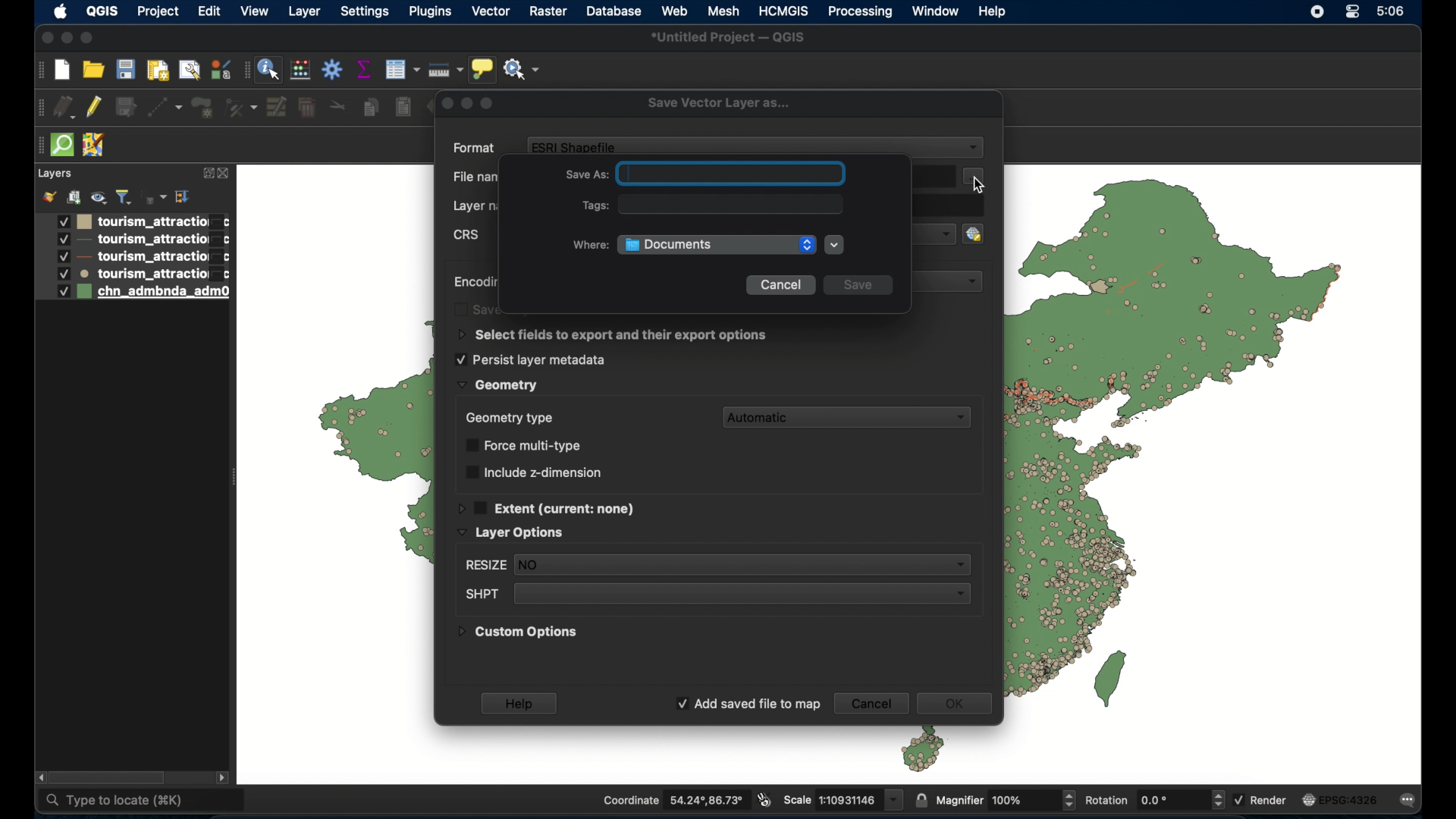  What do you see at coordinates (871, 703) in the screenshot?
I see `cancel` at bounding box center [871, 703].